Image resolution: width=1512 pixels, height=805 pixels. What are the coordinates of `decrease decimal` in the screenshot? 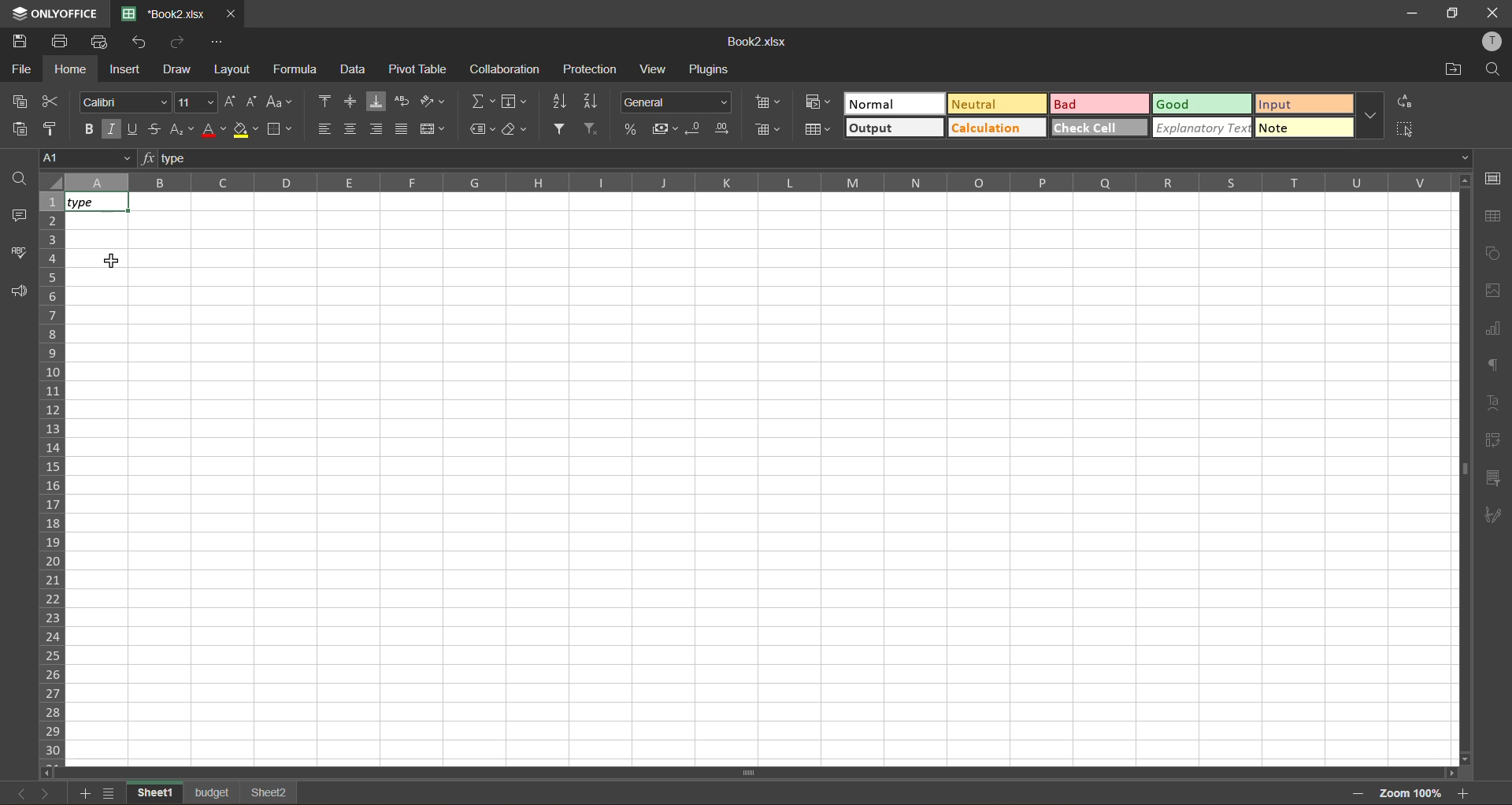 It's located at (698, 128).